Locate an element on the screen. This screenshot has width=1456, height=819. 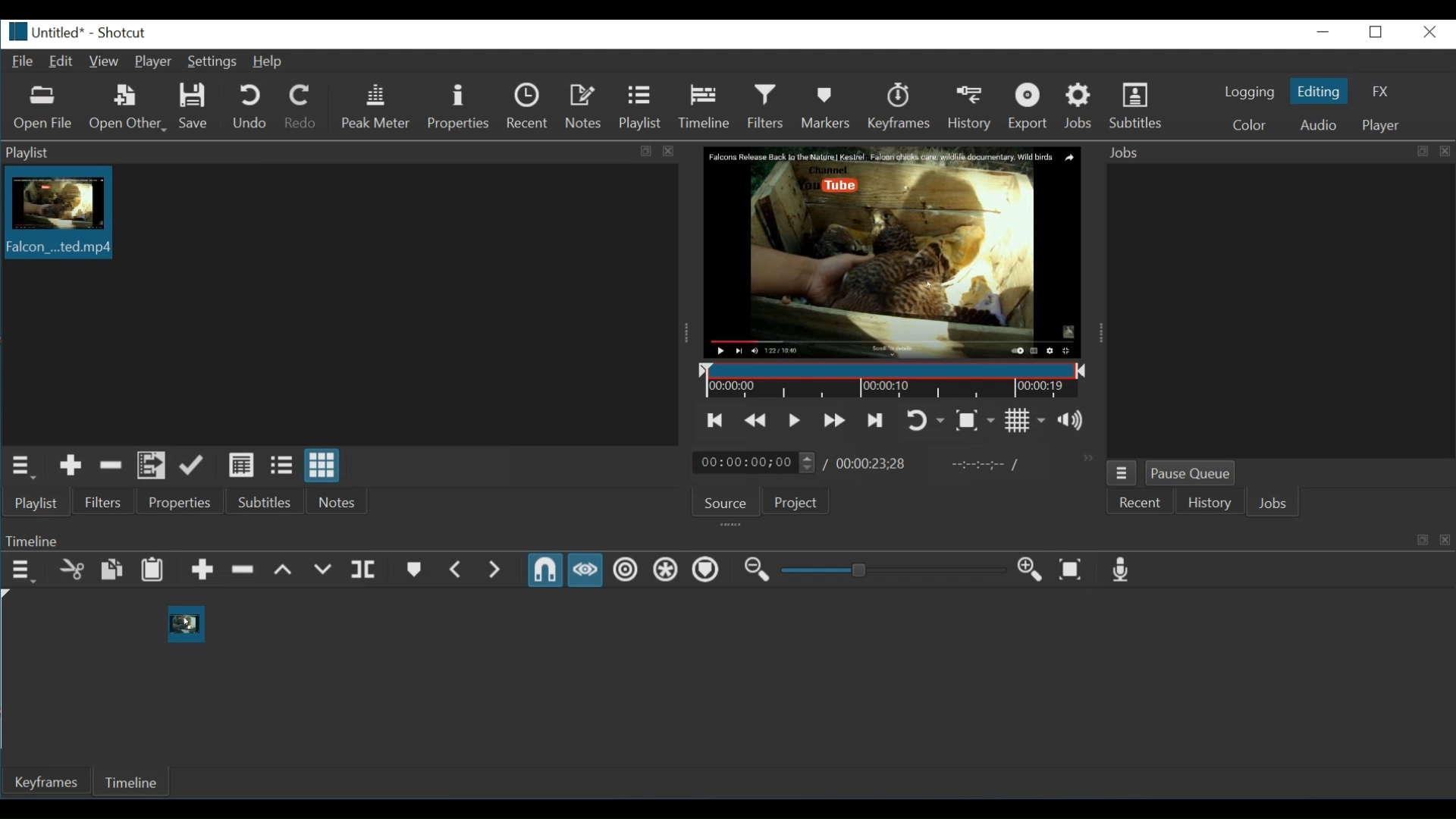
Playlist is located at coordinates (38, 502).